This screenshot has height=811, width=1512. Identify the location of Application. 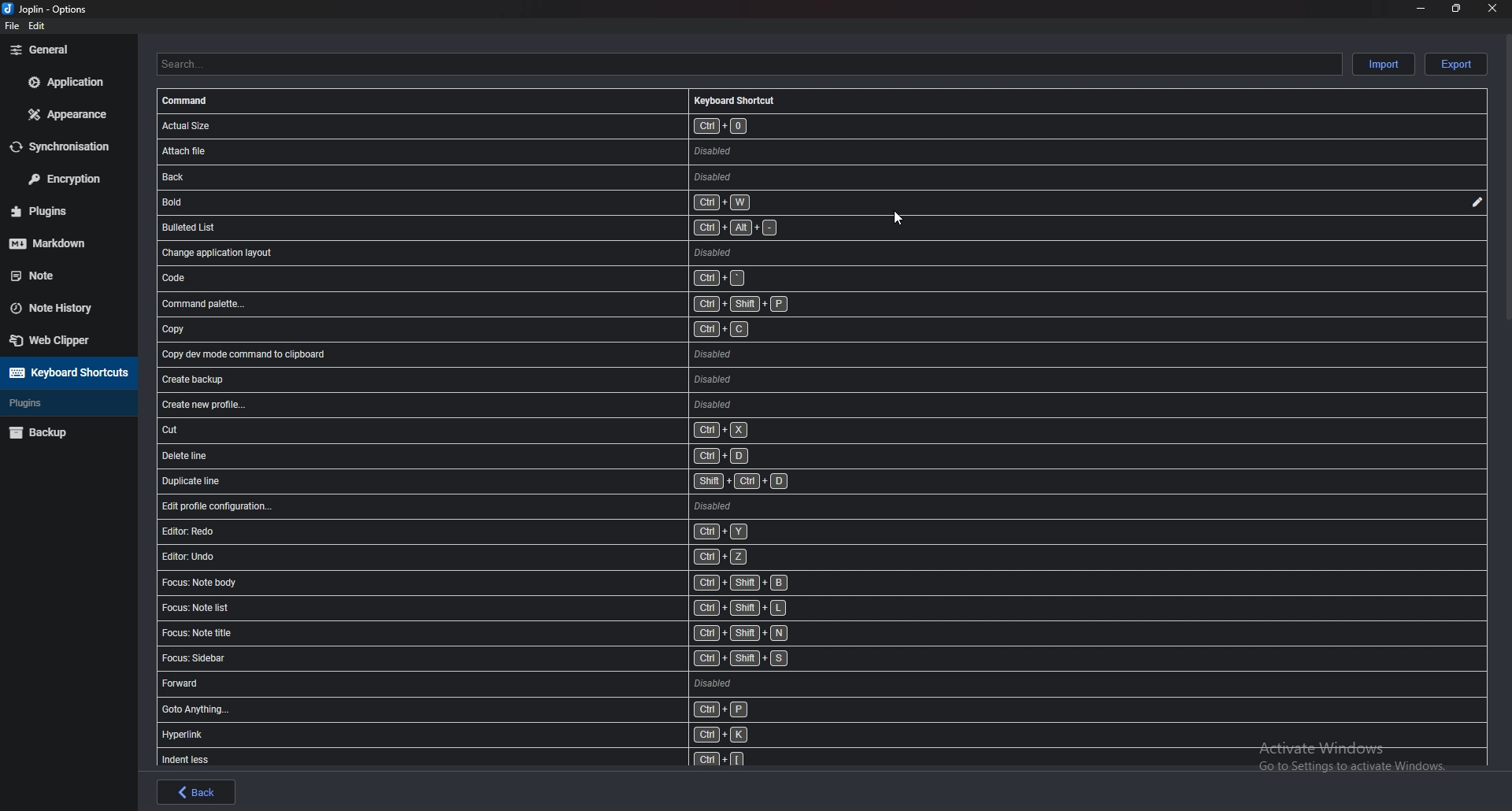
(65, 82).